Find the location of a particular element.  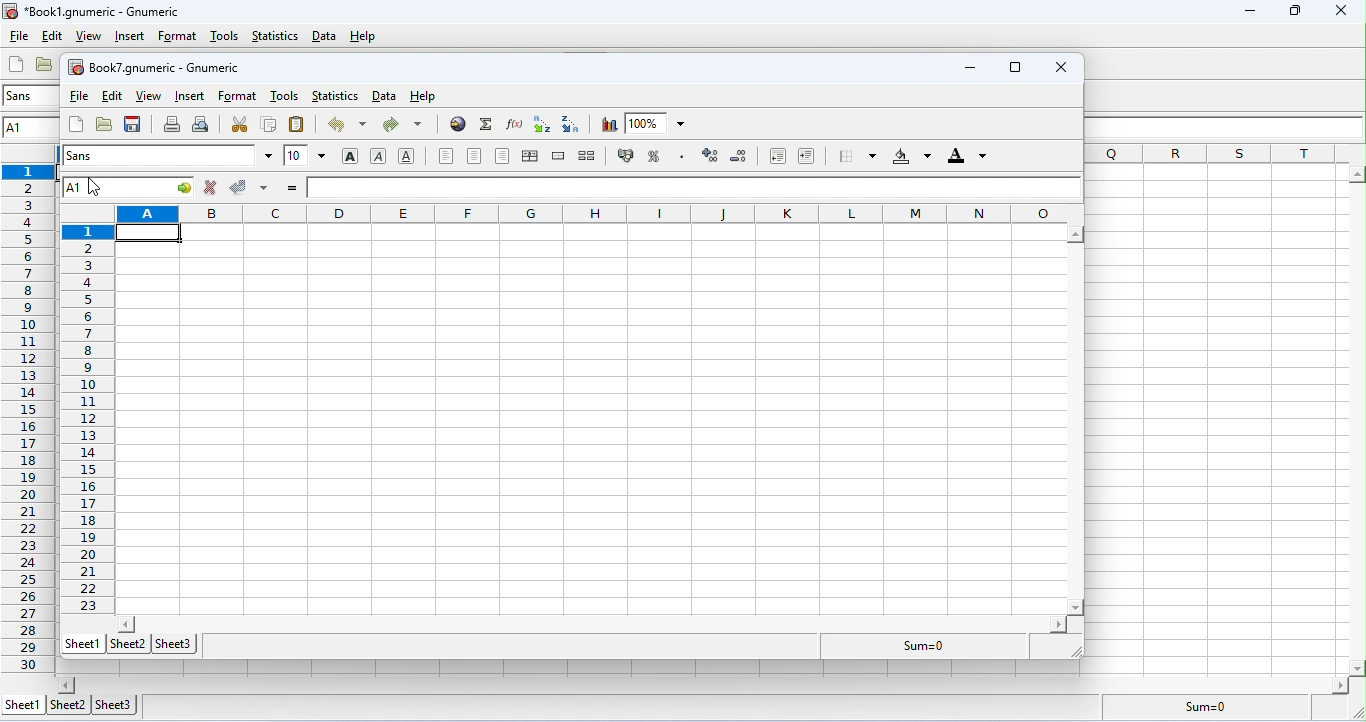

minimize is located at coordinates (969, 67).